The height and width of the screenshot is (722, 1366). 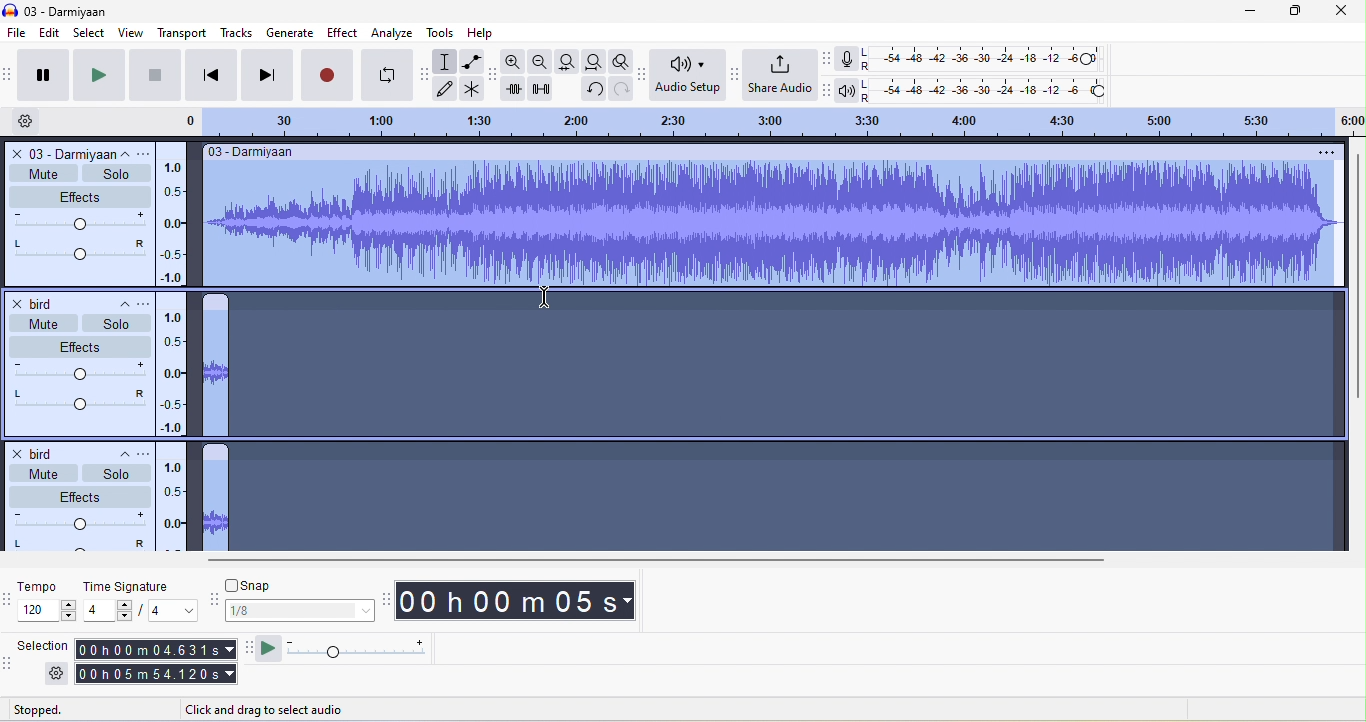 I want to click on audacity audio setup toolbar, so click(x=644, y=73).